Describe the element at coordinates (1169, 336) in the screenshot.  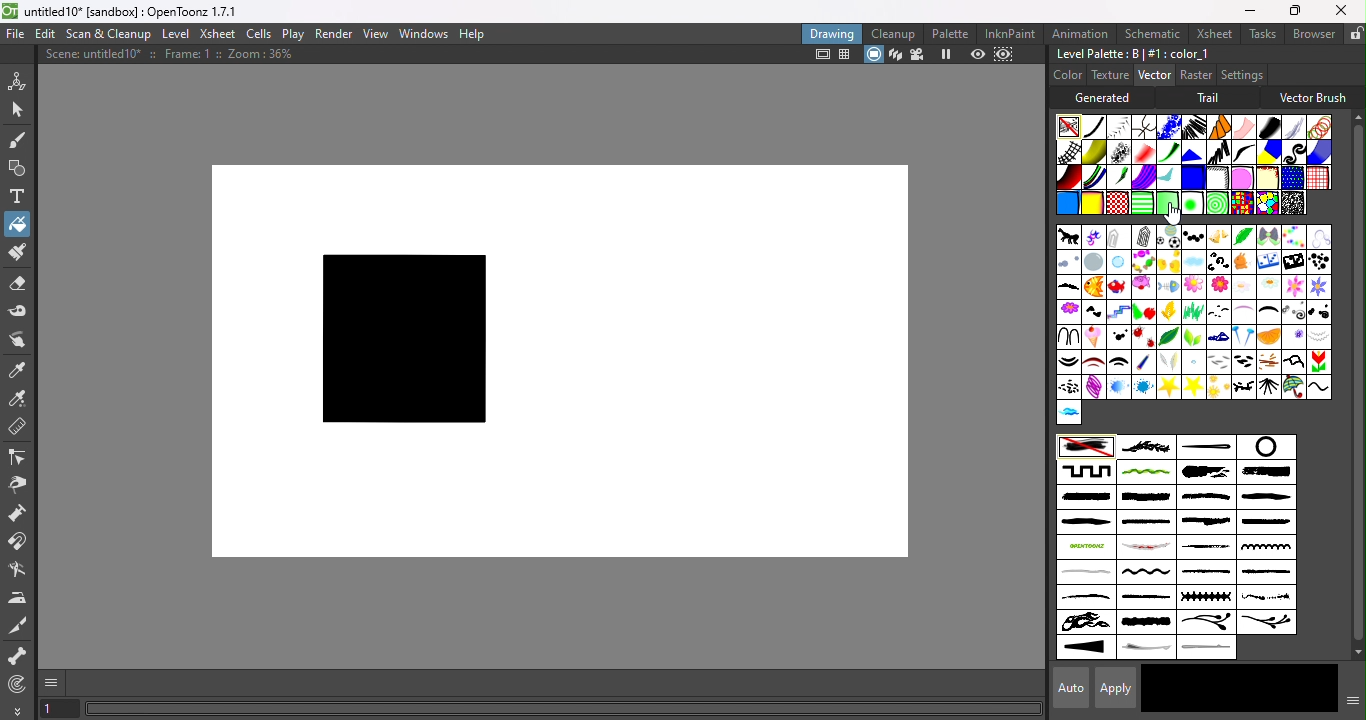
I see `leaf` at that location.